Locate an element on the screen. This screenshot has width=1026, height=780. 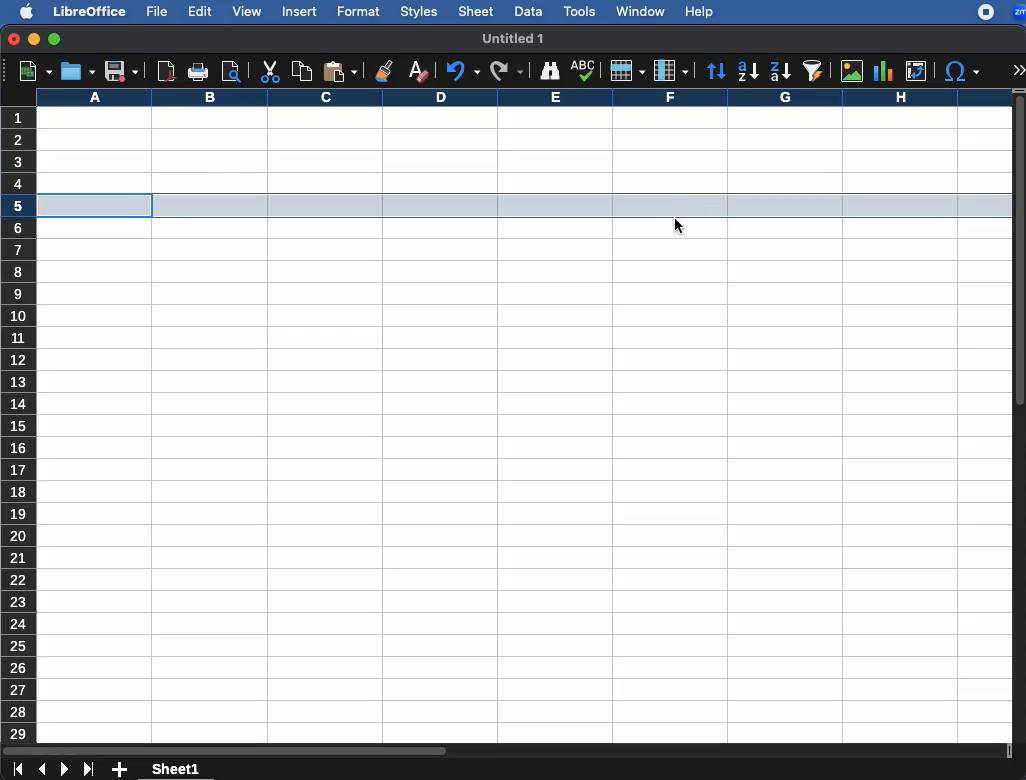
autofilter is located at coordinates (816, 72).